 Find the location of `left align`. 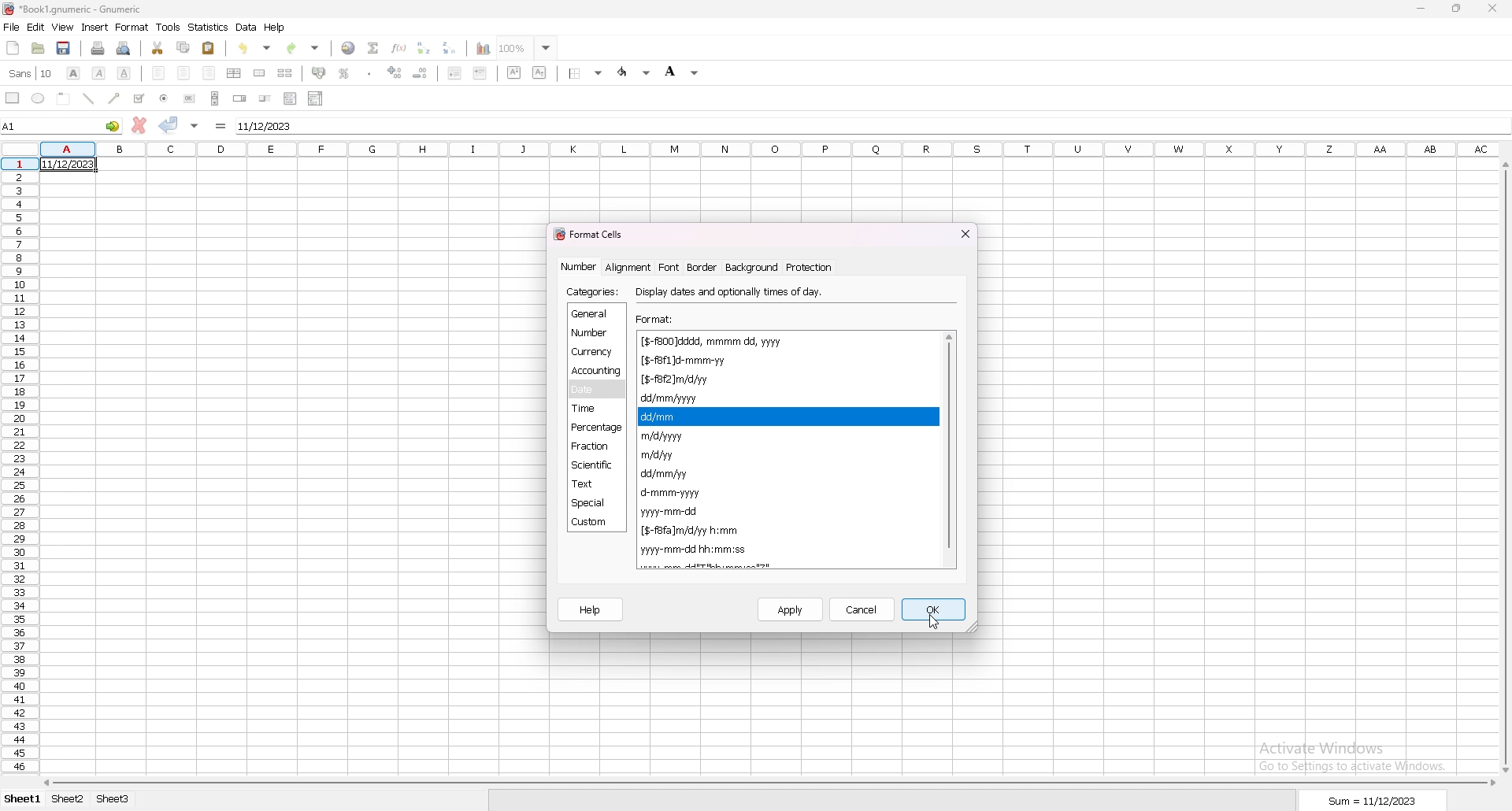

left align is located at coordinates (158, 72).